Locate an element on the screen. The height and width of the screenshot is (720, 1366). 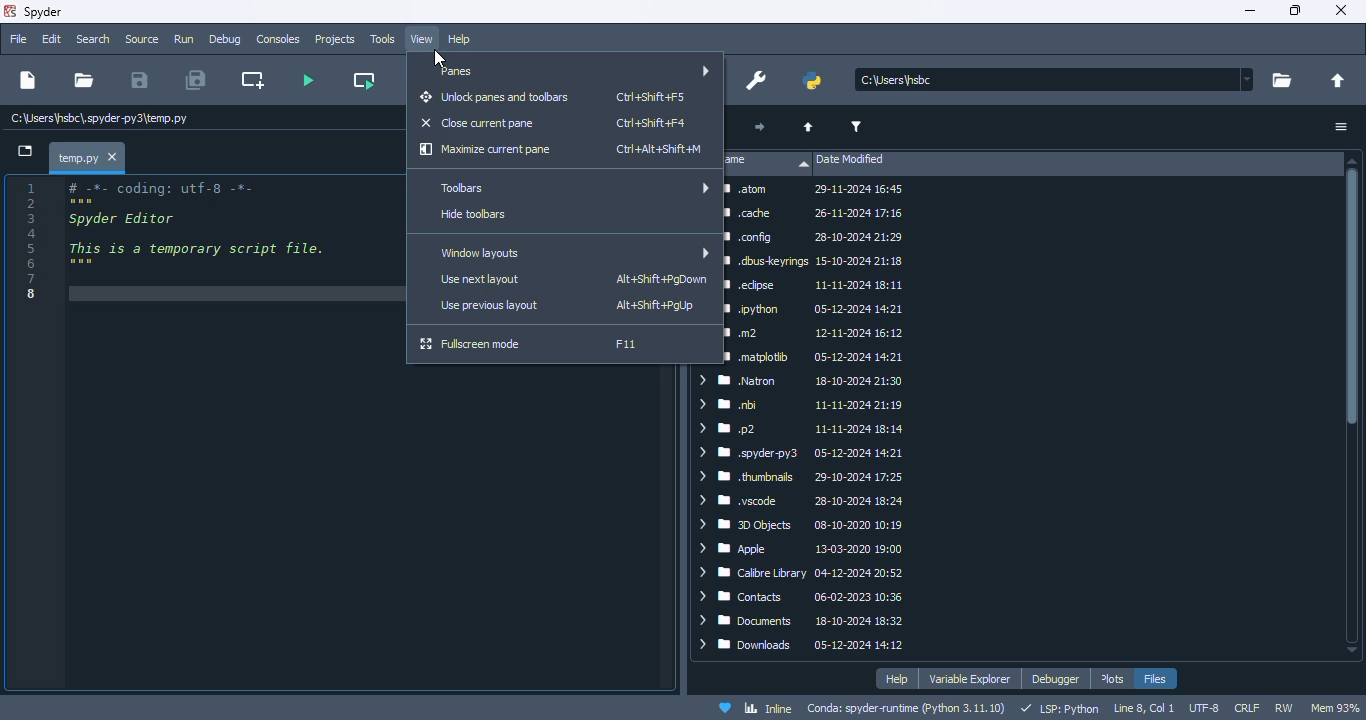
conda: spyder-runtime (Python 3. 11. 10) is located at coordinates (908, 709).